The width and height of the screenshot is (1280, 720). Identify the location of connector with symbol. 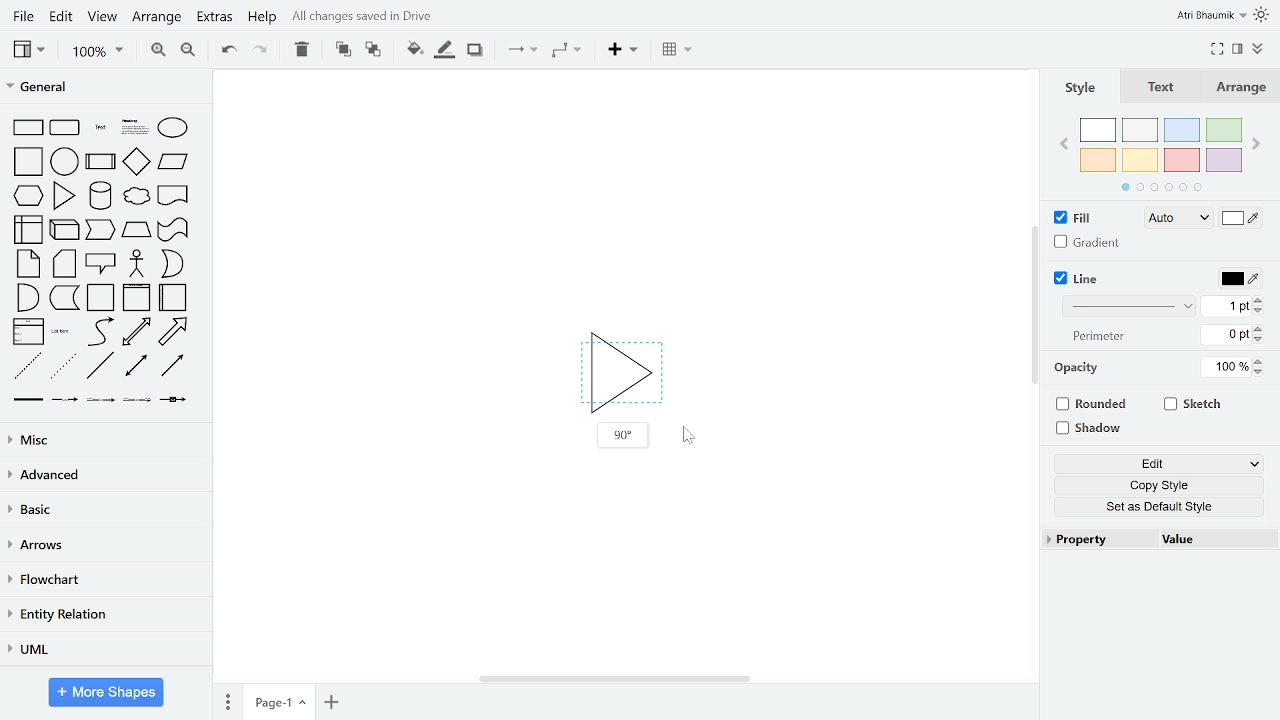
(173, 401).